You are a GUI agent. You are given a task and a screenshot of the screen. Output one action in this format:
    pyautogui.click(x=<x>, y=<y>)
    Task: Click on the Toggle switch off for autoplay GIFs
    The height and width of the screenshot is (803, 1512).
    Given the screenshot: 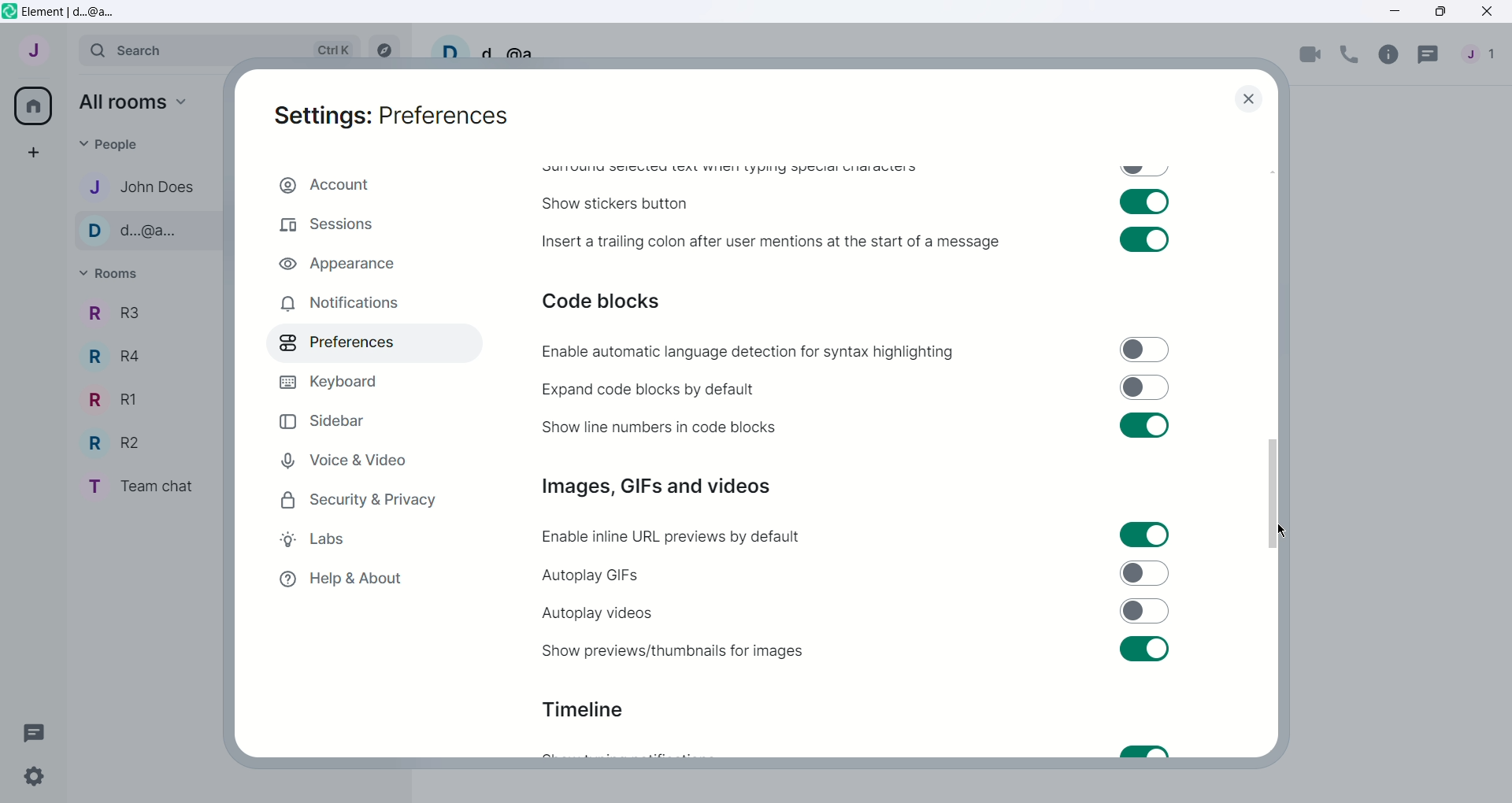 What is the action you would take?
    pyautogui.click(x=1145, y=573)
    